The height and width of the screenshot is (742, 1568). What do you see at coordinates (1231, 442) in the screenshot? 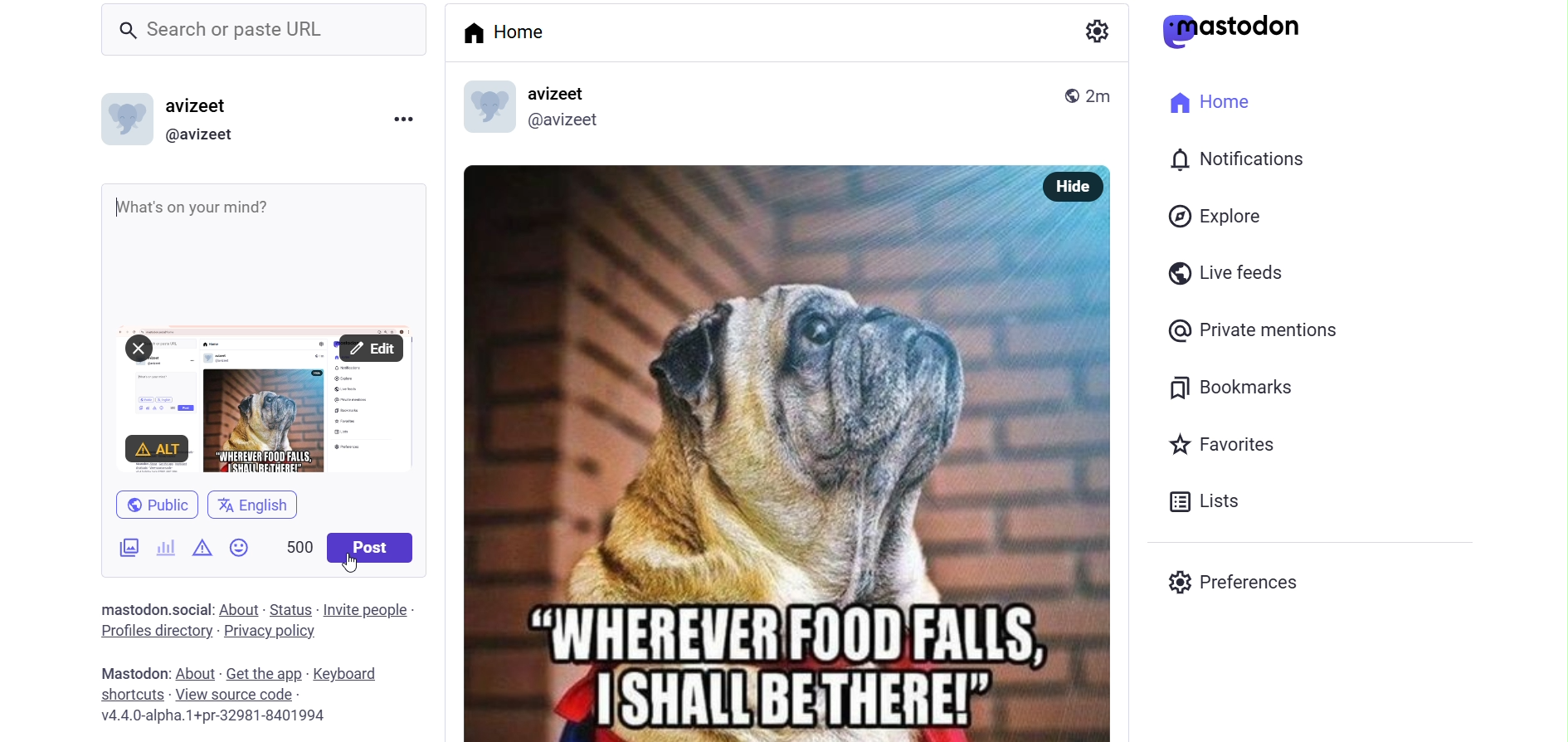
I see `favorites` at bounding box center [1231, 442].